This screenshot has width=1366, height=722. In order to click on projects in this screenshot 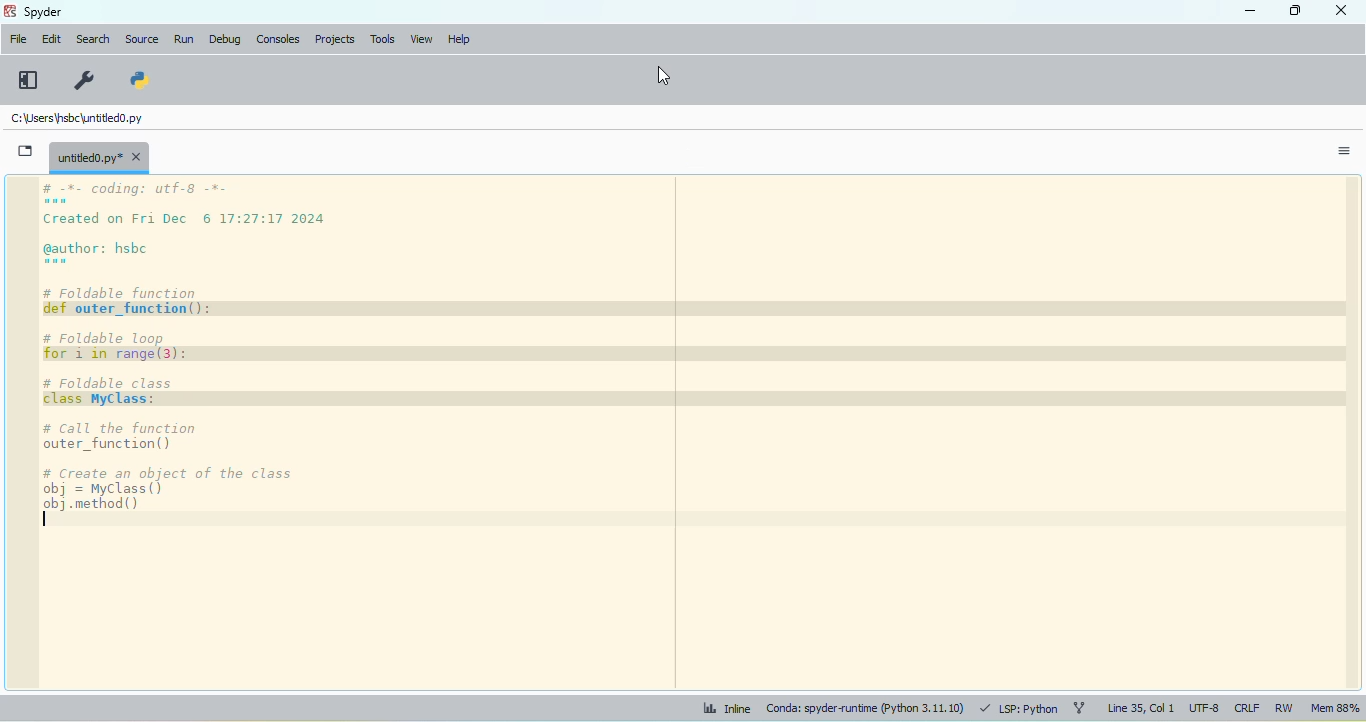, I will do `click(336, 39)`.